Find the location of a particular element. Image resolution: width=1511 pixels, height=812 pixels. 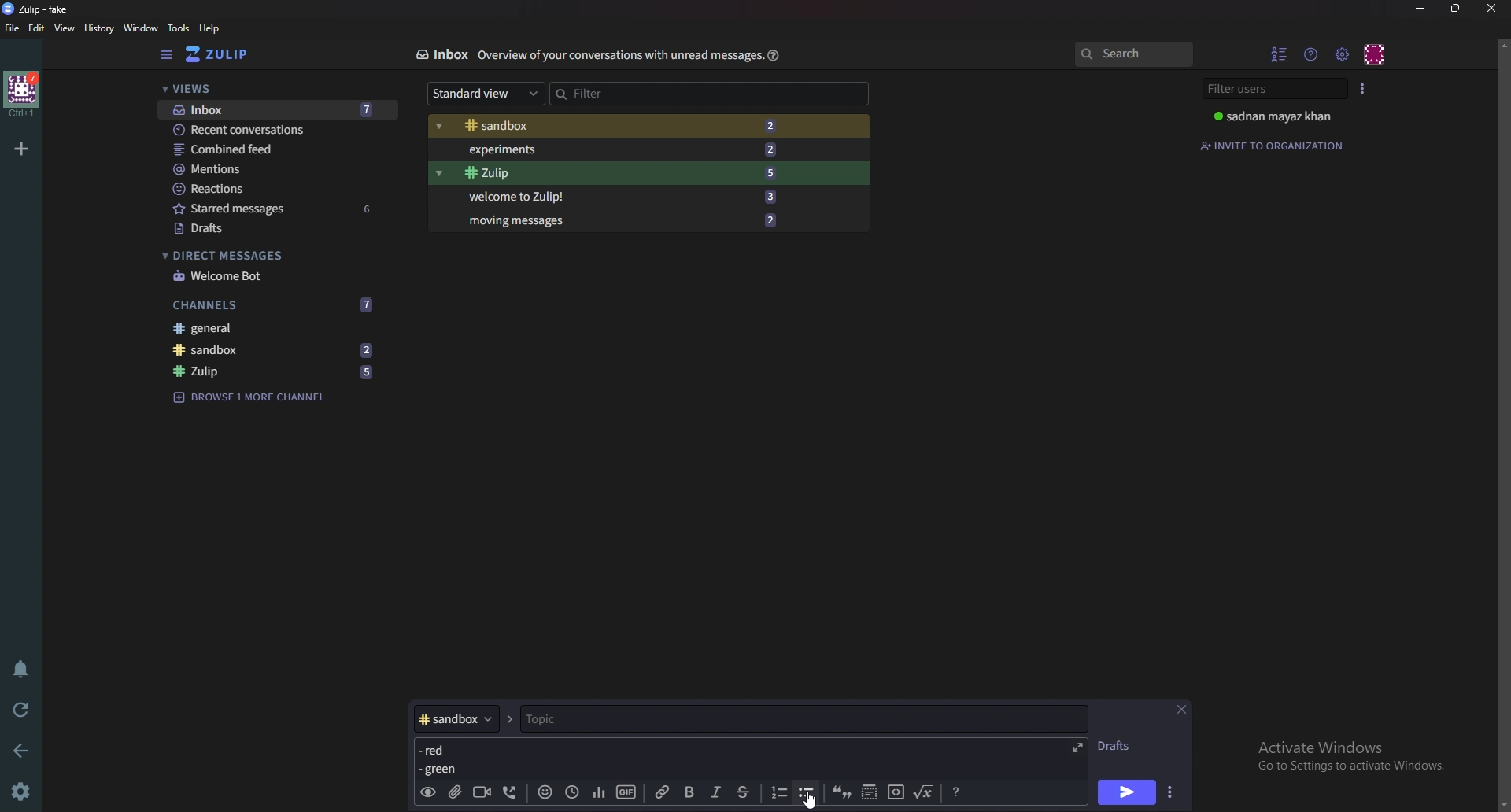

Sandbox is located at coordinates (273, 349).